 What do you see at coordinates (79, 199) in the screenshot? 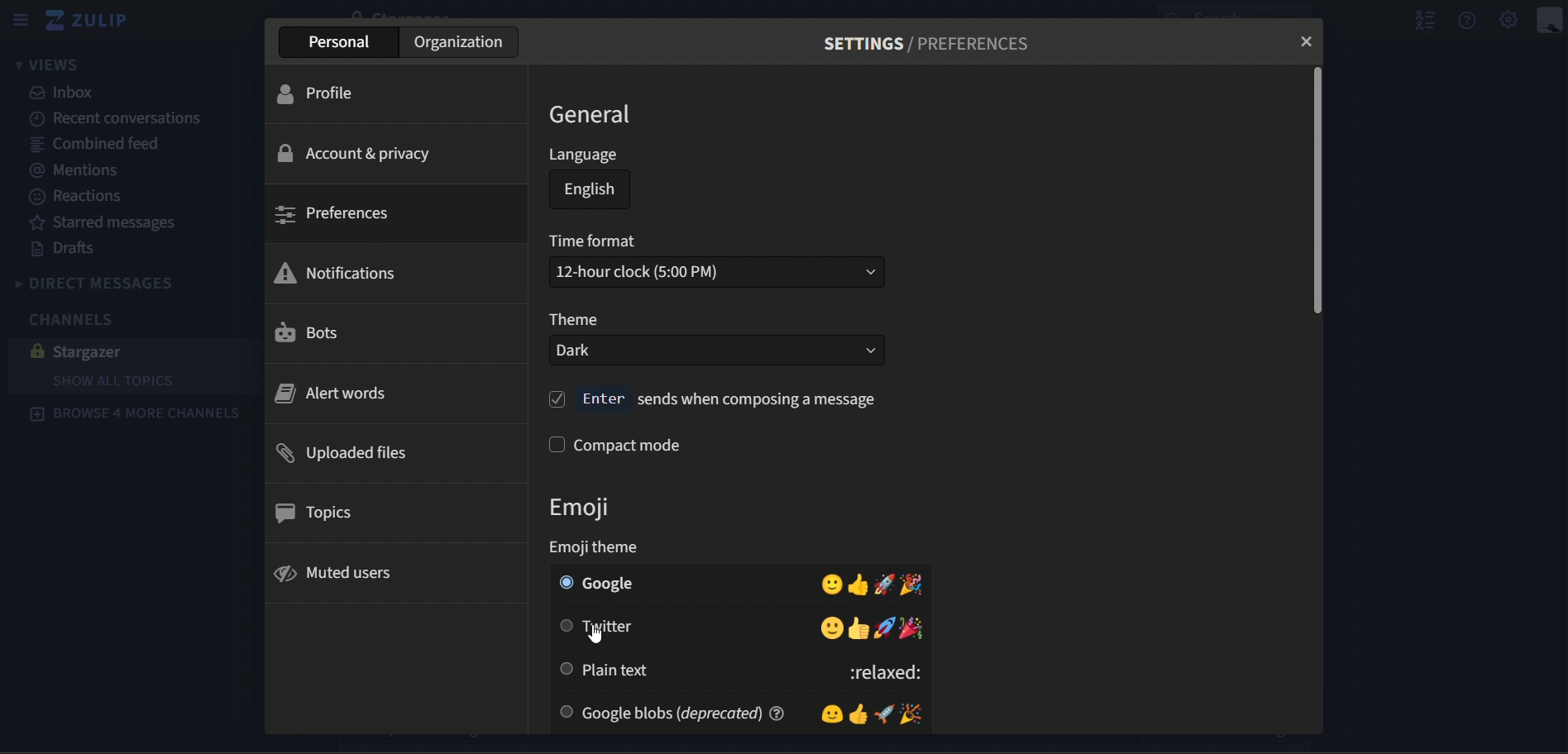
I see `reactions` at bounding box center [79, 199].